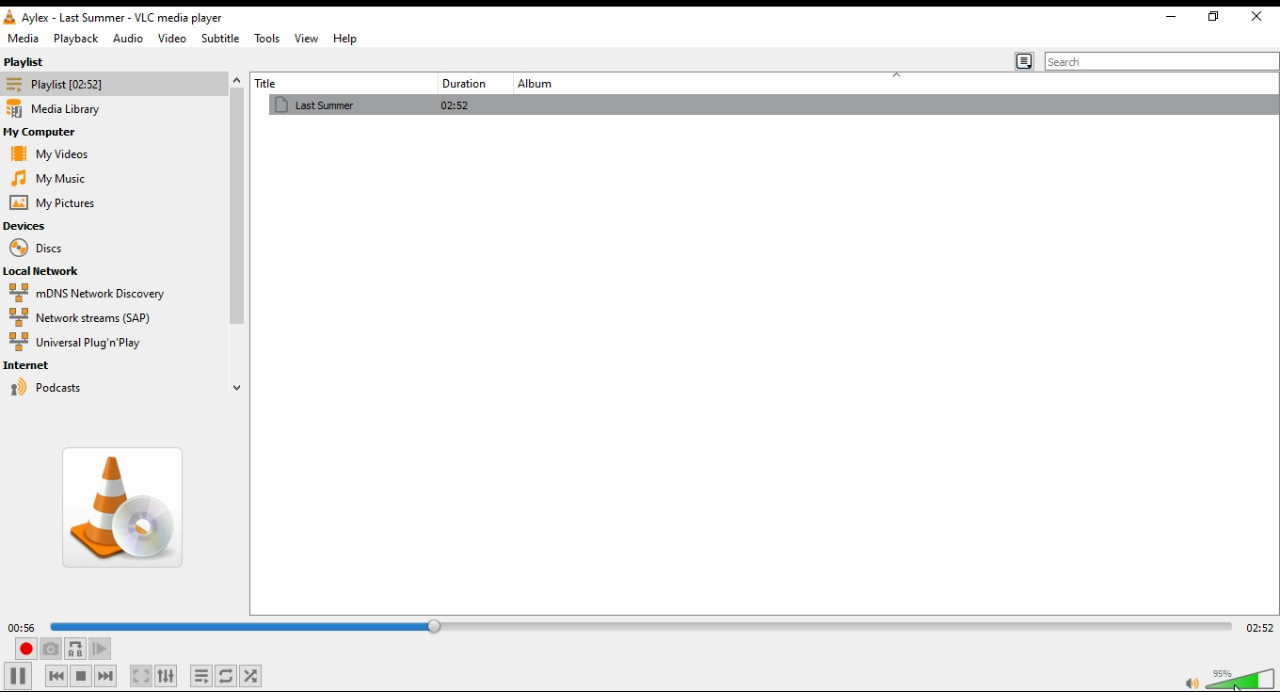 Image resolution: width=1280 pixels, height=692 pixels. What do you see at coordinates (127, 38) in the screenshot?
I see `audio` at bounding box center [127, 38].